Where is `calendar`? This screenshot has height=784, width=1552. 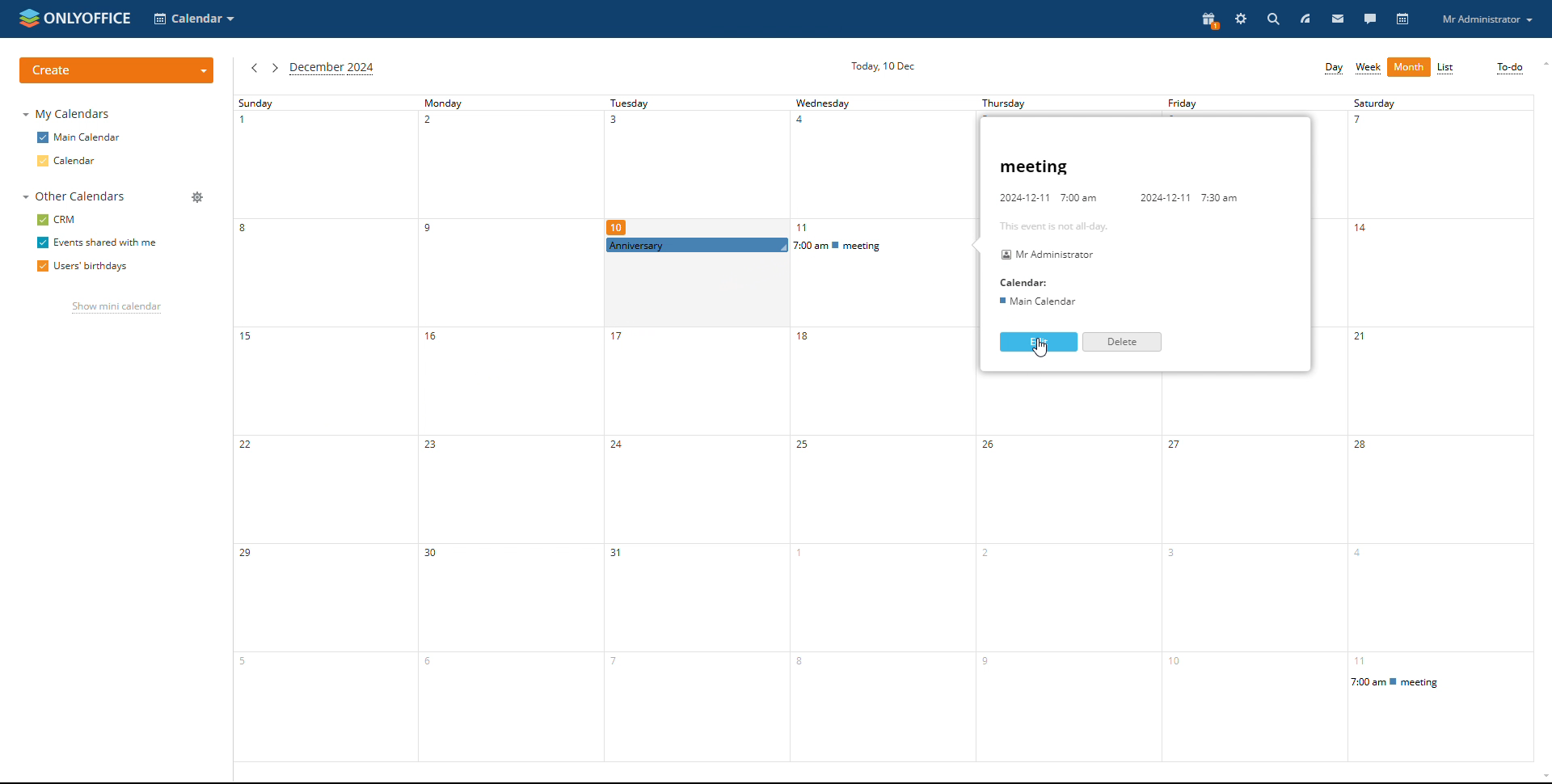
calendar is located at coordinates (1401, 19).